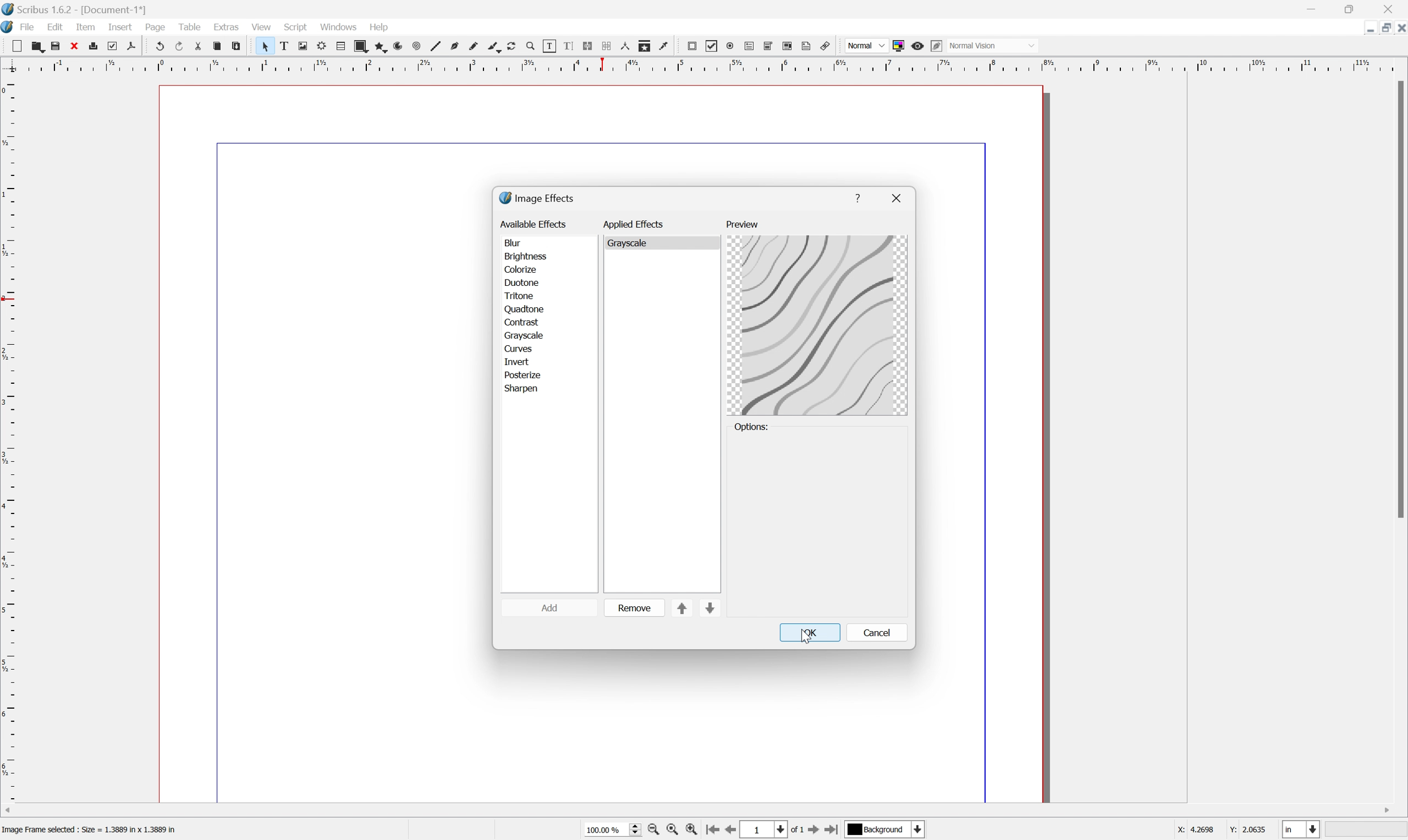  Describe the element at coordinates (610, 46) in the screenshot. I see `Unlink text frames` at that location.